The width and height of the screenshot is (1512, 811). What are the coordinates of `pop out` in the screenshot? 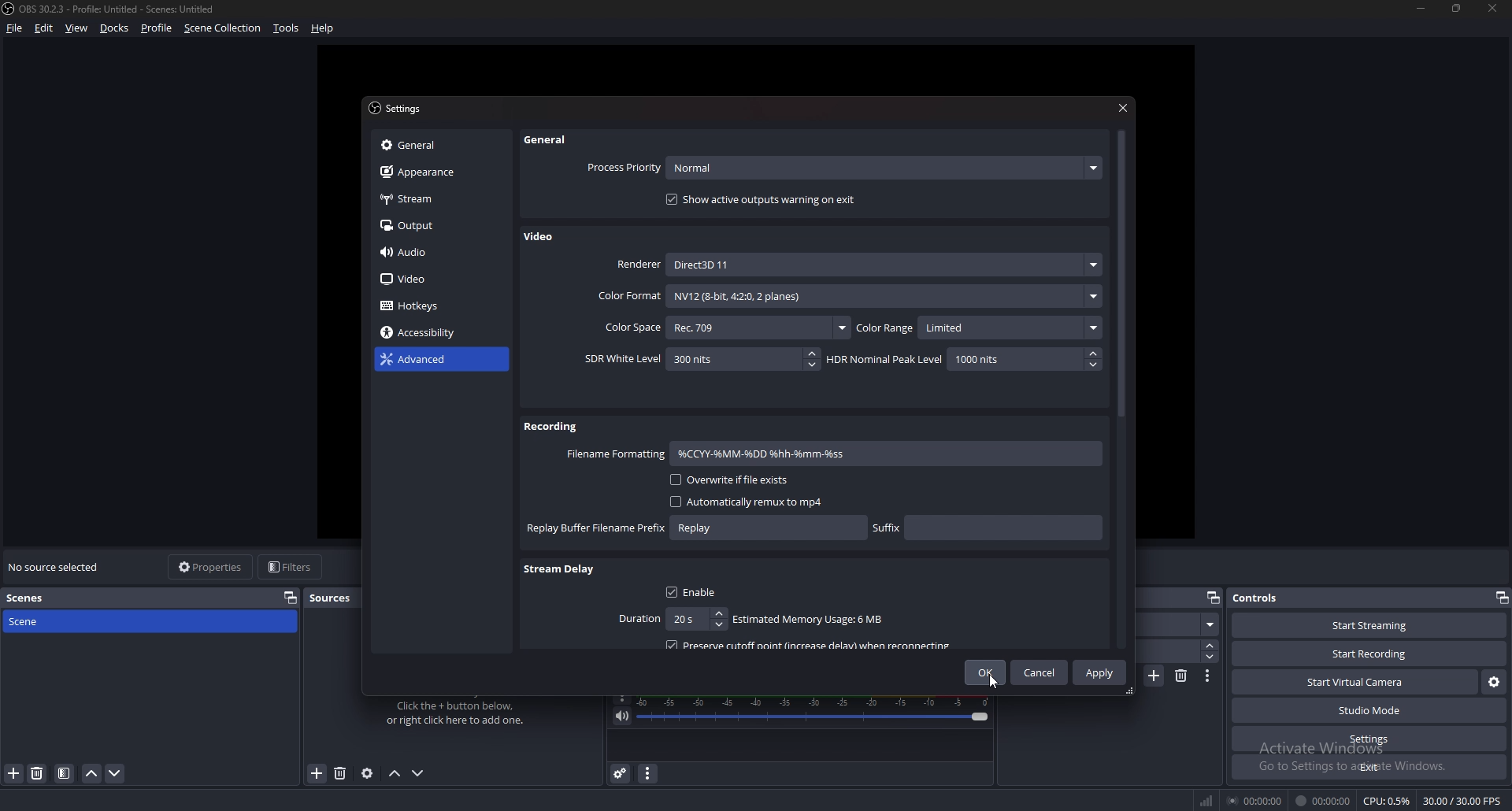 It's located at (1214, 597).